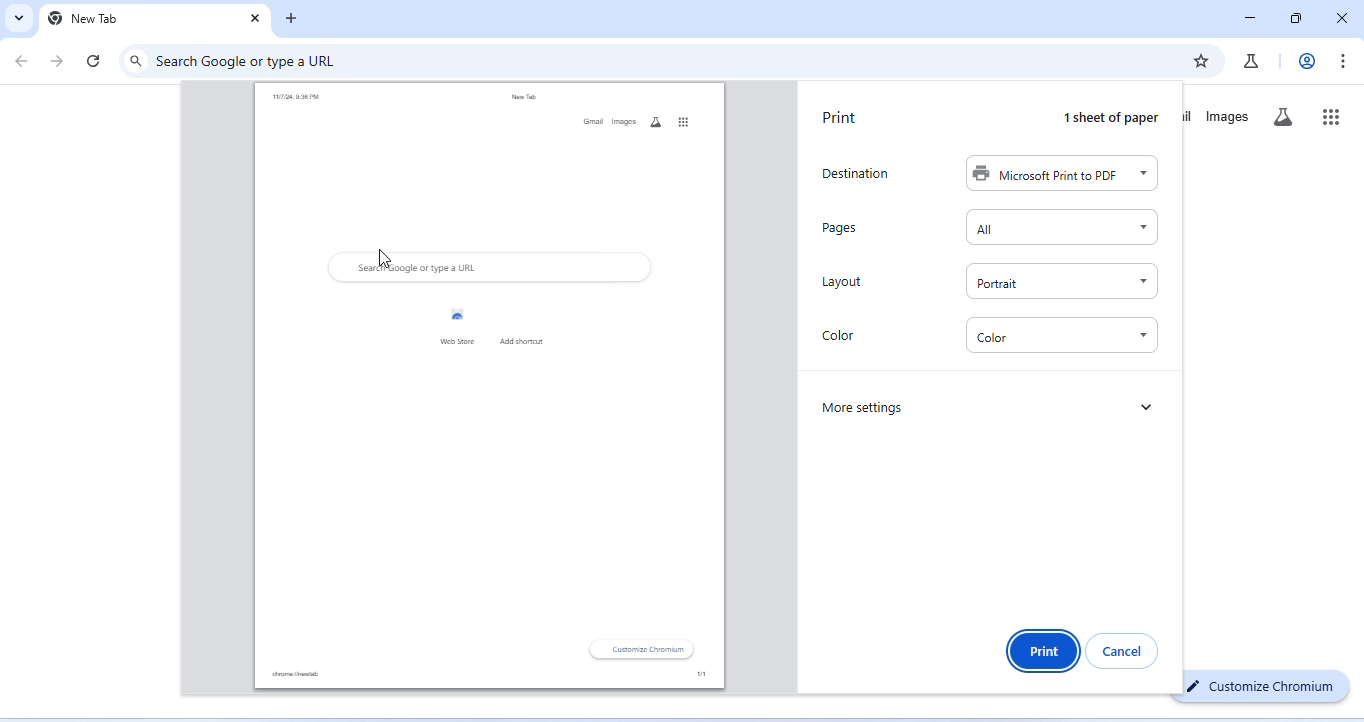 Image resolution: width=1364 pixels, height=722 pixels. What do you see at coordinates (1061, 282) in the screenshot?
I see `portrait` at bounding box center [1061, 282].